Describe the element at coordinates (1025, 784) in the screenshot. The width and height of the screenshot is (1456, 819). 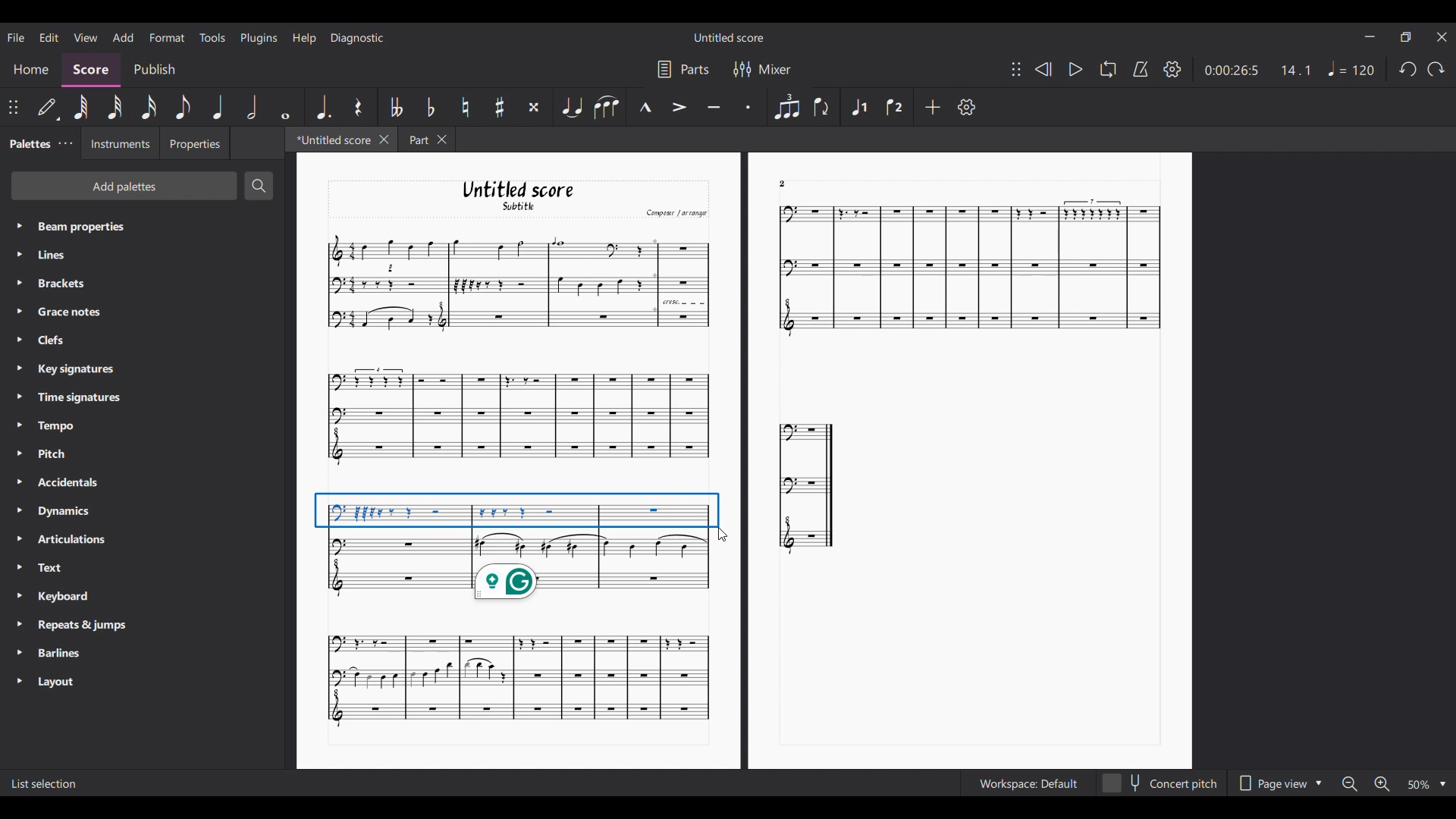
I see `workspace Default` at that location.